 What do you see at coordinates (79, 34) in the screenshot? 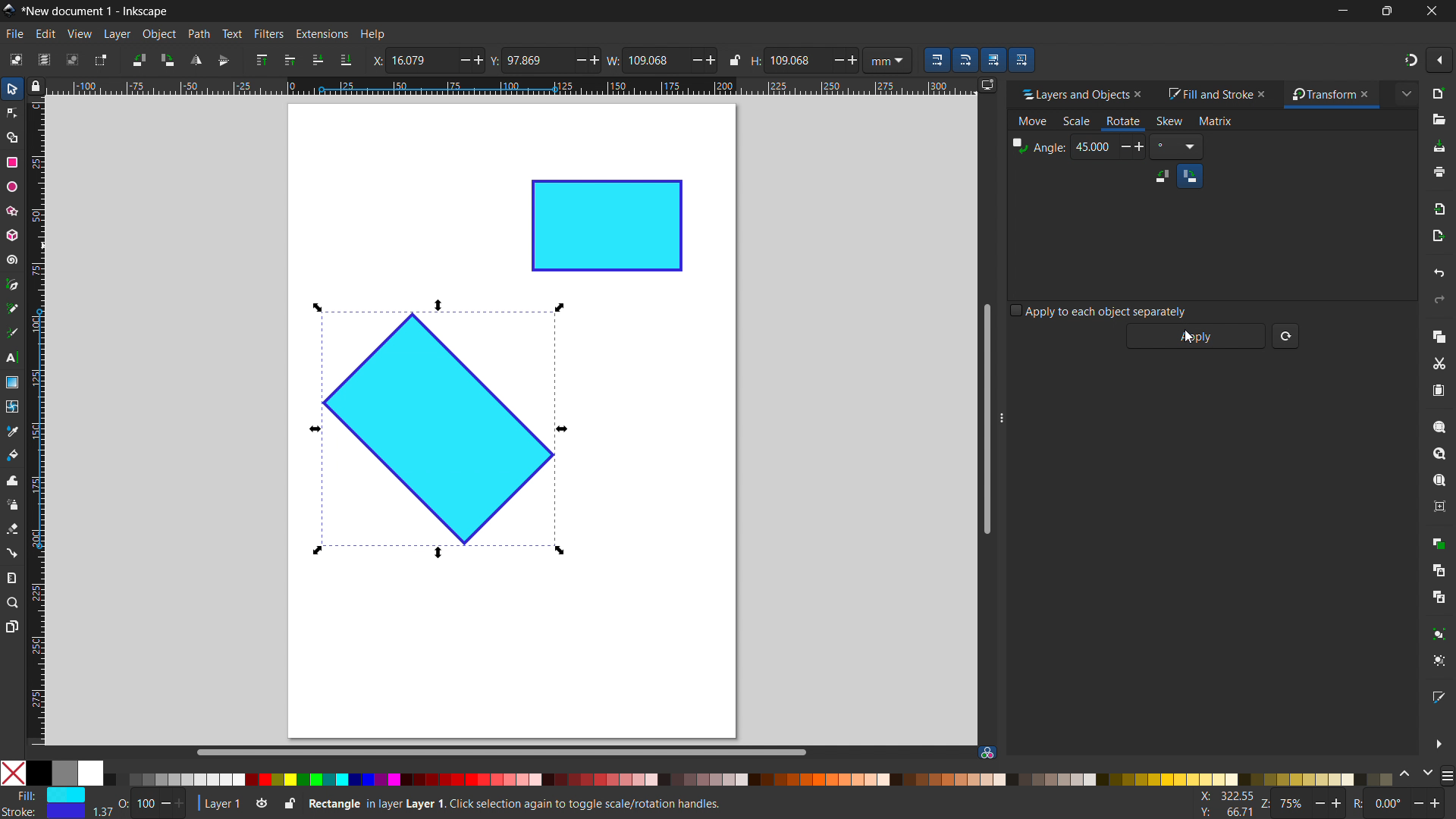
I see `view` at bounding box center [79, 34].